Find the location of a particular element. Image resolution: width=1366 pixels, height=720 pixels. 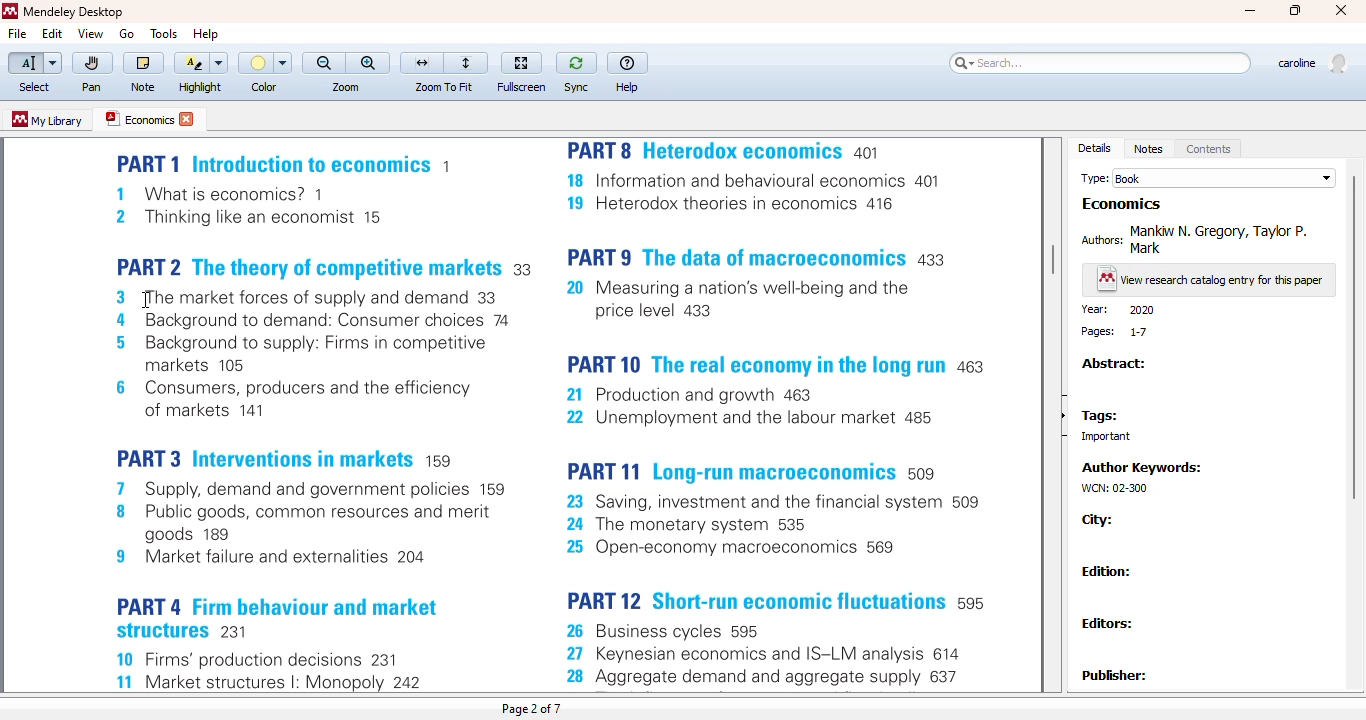

Zoom to fit is located at coordinates (443, 63).